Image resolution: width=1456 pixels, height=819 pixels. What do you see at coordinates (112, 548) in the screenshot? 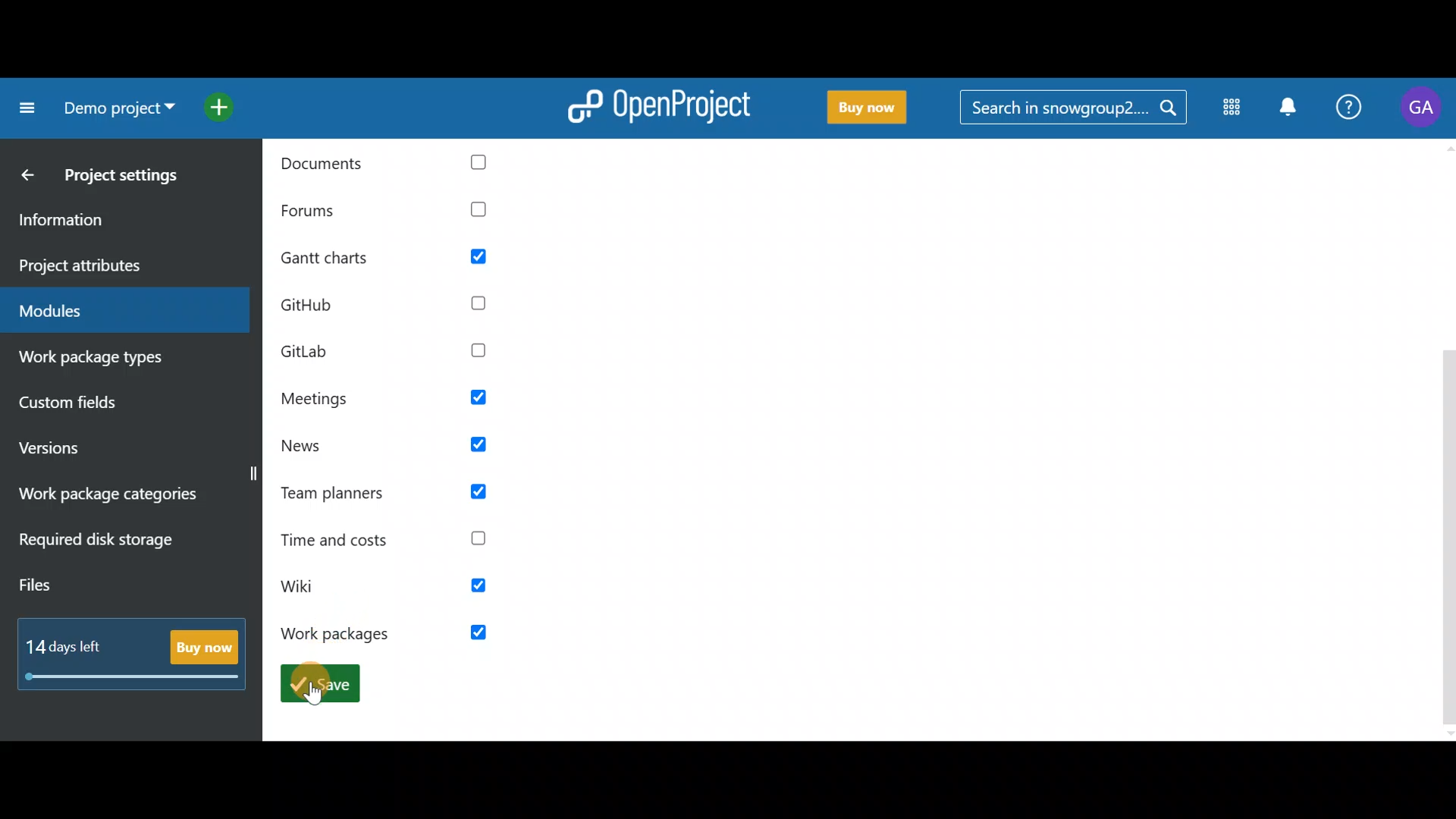
I see `Required disk storage` at bounding box center [112, 548].